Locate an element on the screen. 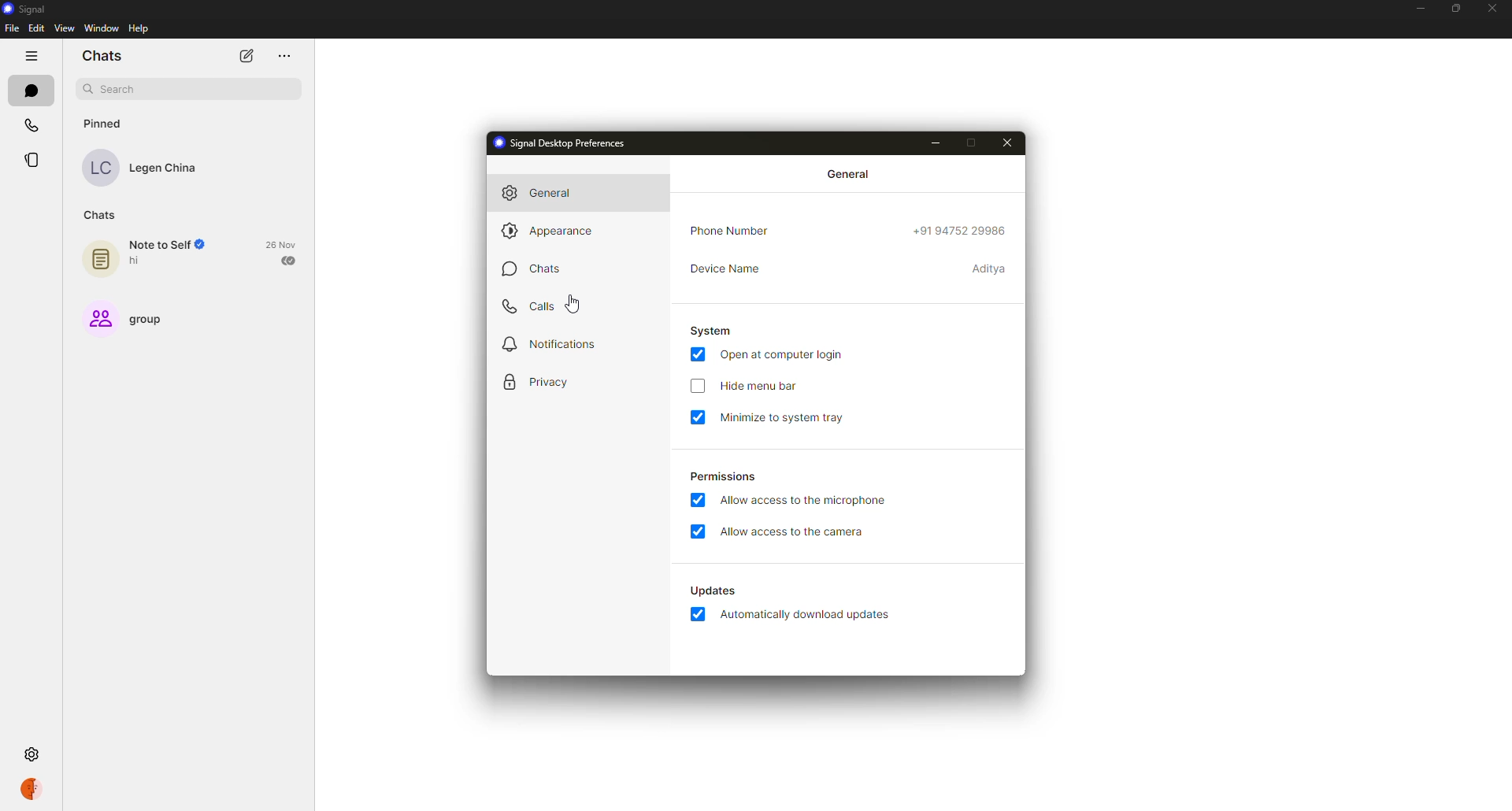 Image resolution: width=1512 pixels, height=811 pixels. Verified is located at coordinates (206, 246).